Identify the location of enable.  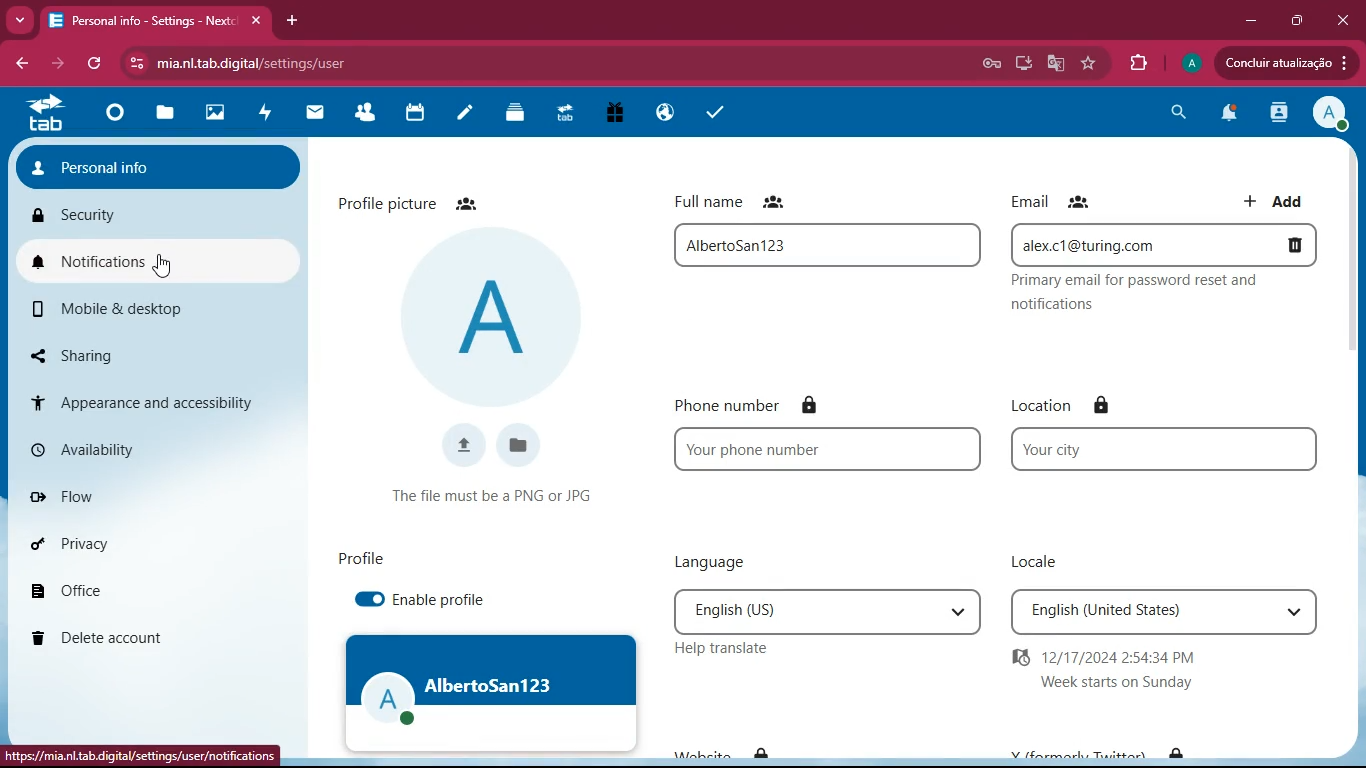
(369, 596).